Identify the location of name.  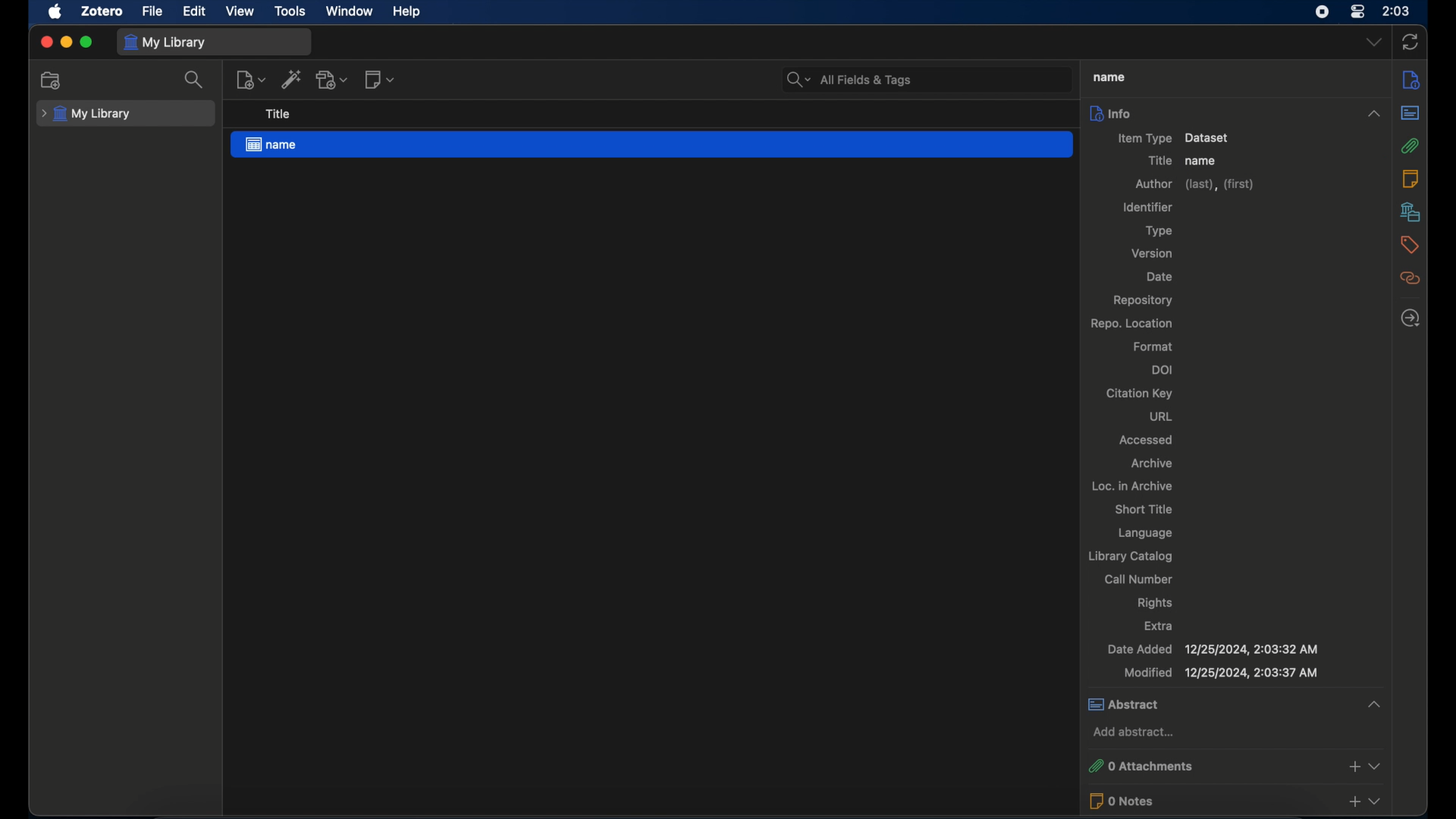
(1201, 162).